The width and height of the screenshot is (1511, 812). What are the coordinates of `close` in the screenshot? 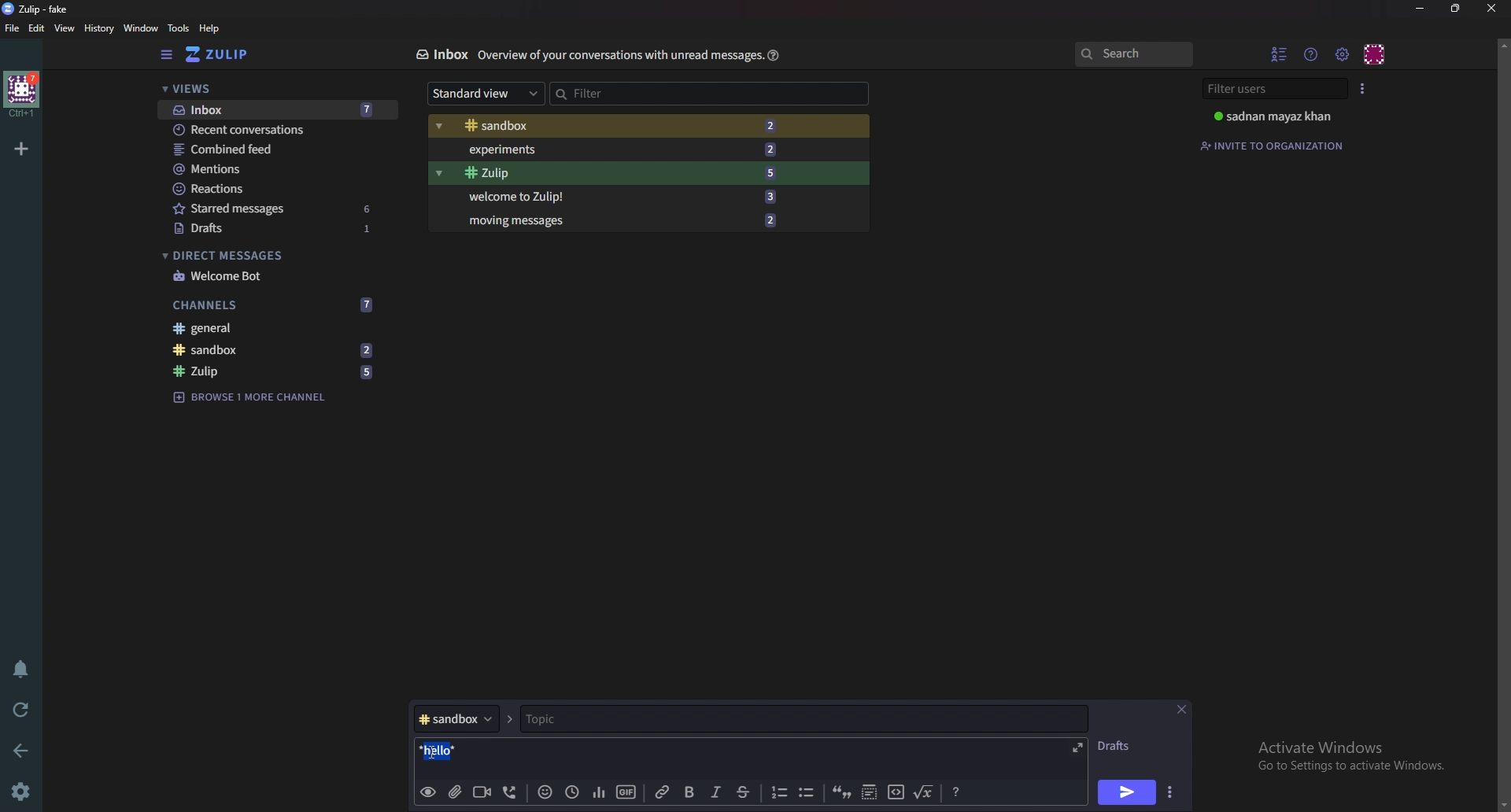 It's located at (1181, 708).